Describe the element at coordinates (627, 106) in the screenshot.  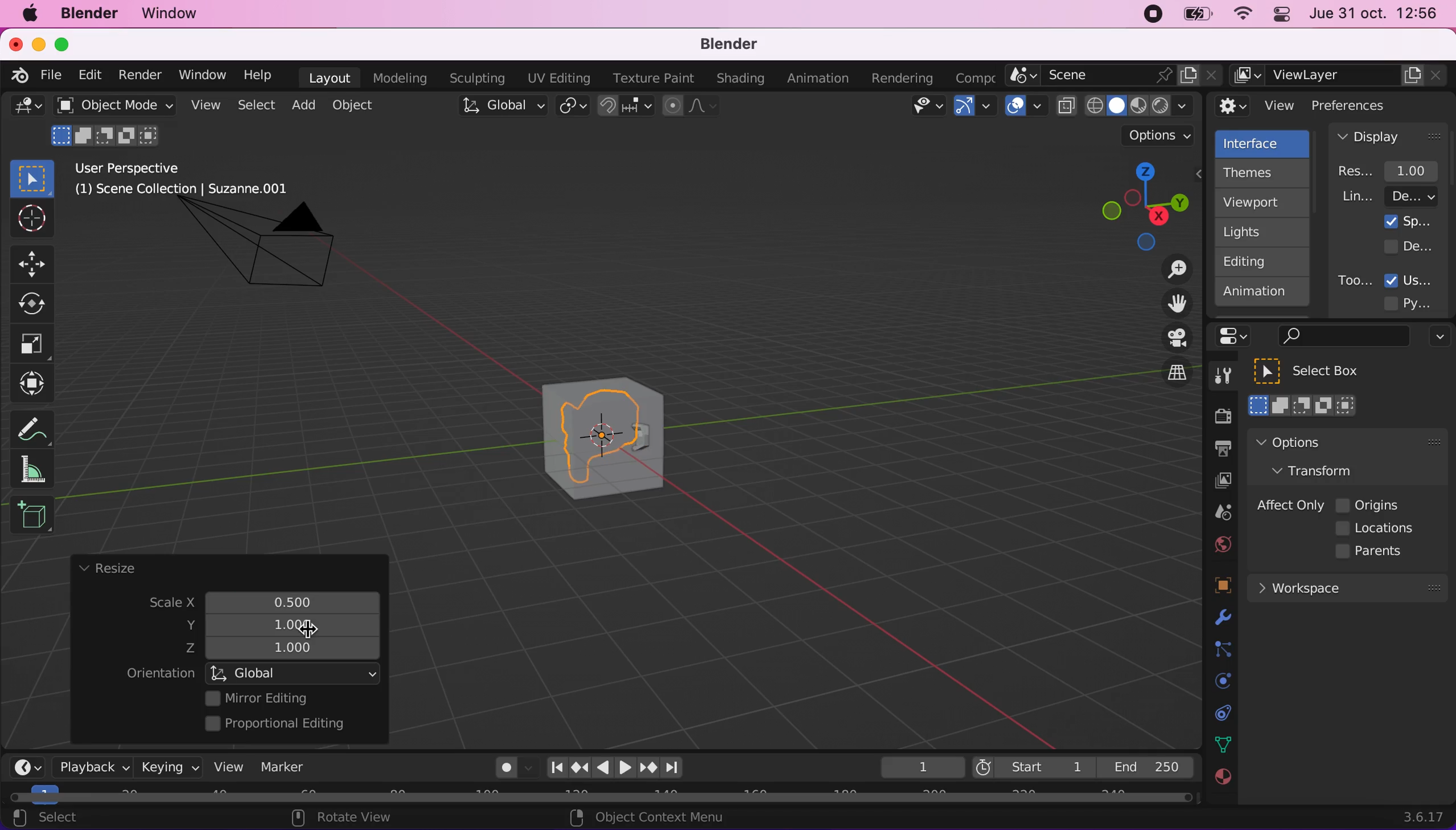
I see `snap` at that location.